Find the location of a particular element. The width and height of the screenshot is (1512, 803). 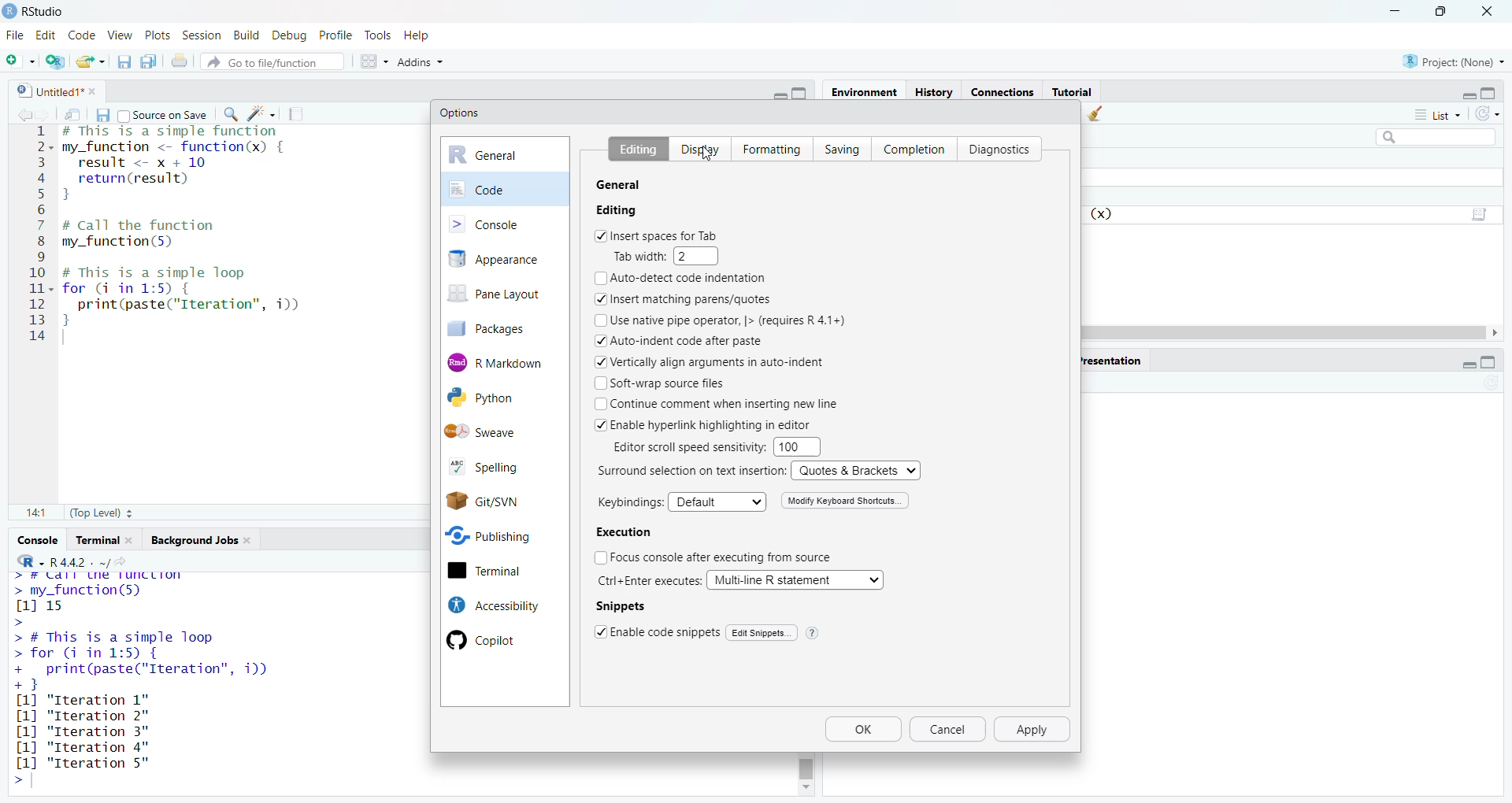

Tab width: 2 is located at coordinates (656, 255).